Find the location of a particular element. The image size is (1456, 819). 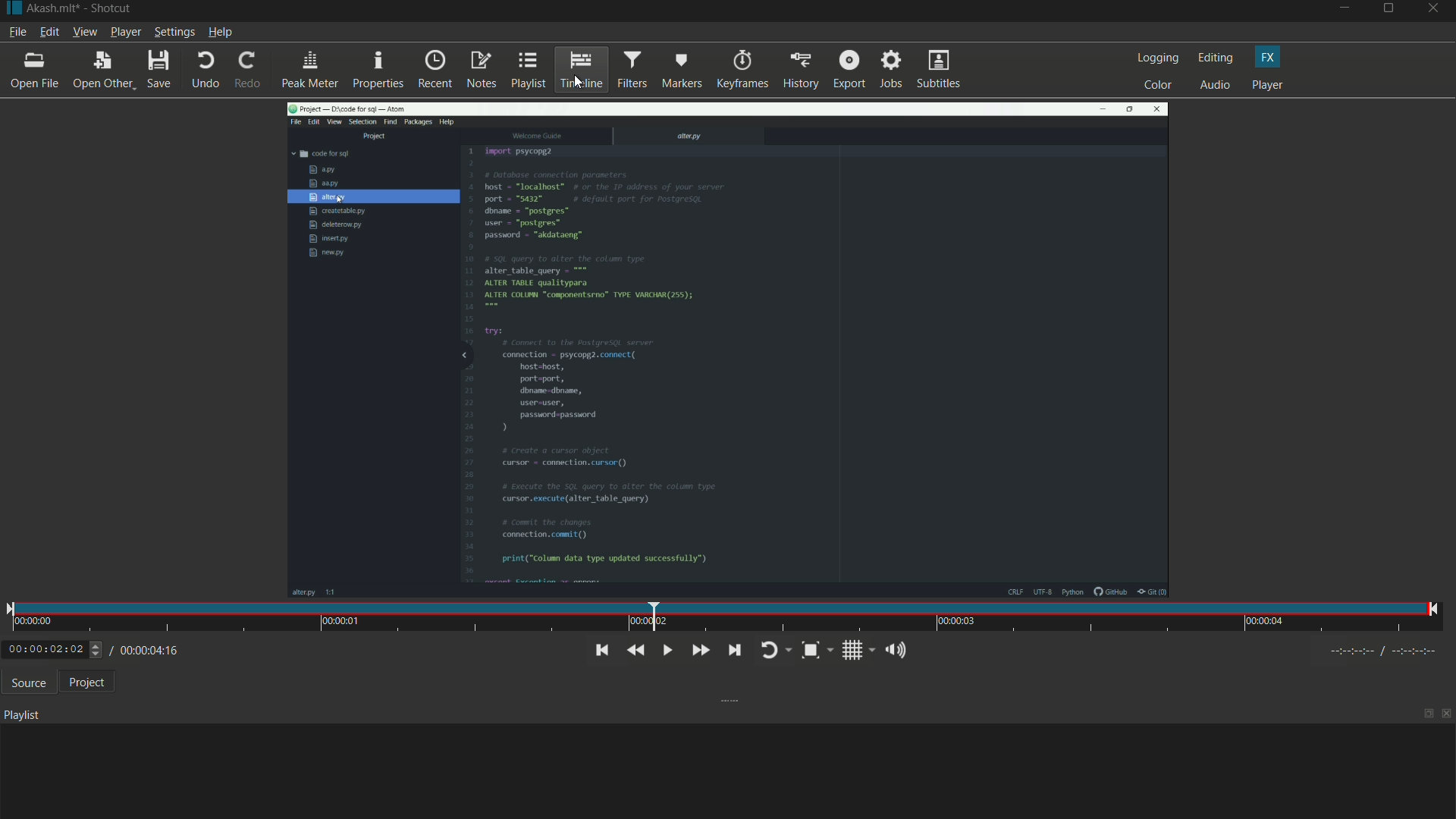

toggle player looping is located at coordinates (773, 651).